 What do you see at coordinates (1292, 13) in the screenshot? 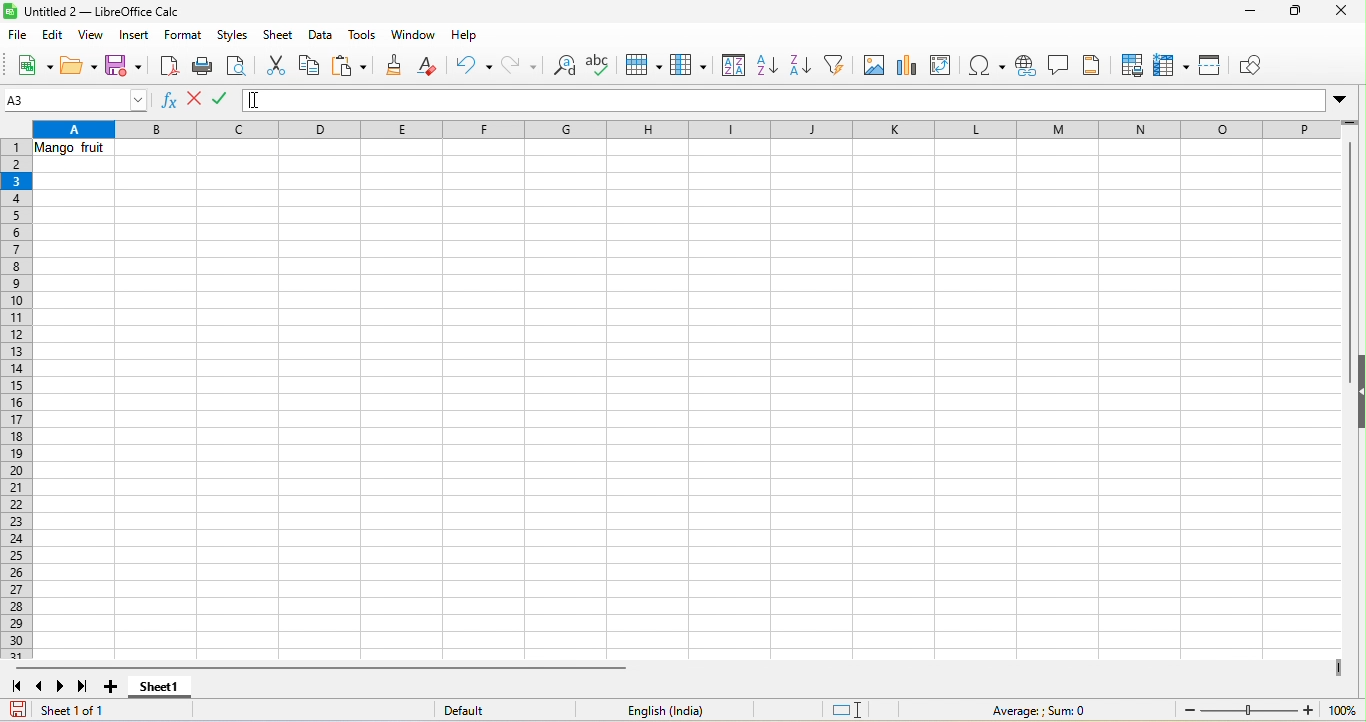
I see `maximize` at bounding box center [1292, 13].